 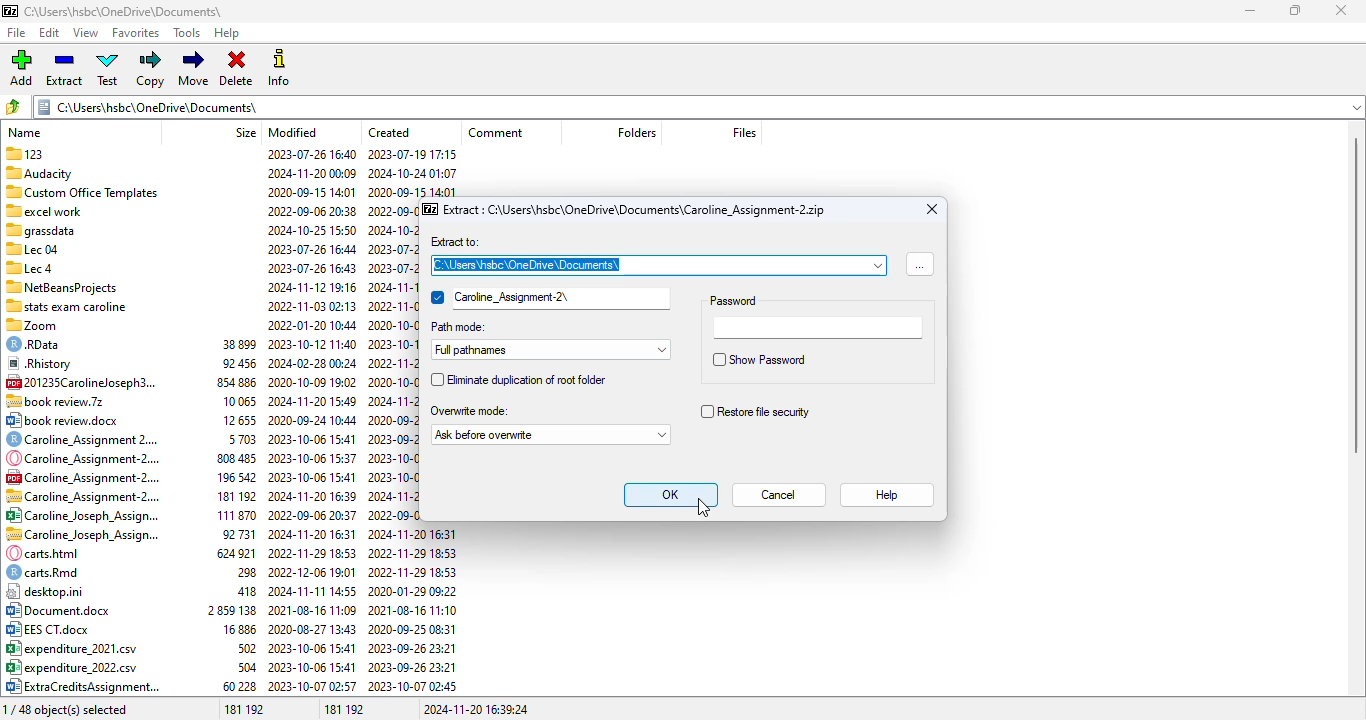 What do you see at coordinates (232, 477) in the screenshot?
I see `&& Caroline Assignment-2.... 196542 2023-10-06 15:41 2023-10-06 15:41` at bounding box center [232, 477].